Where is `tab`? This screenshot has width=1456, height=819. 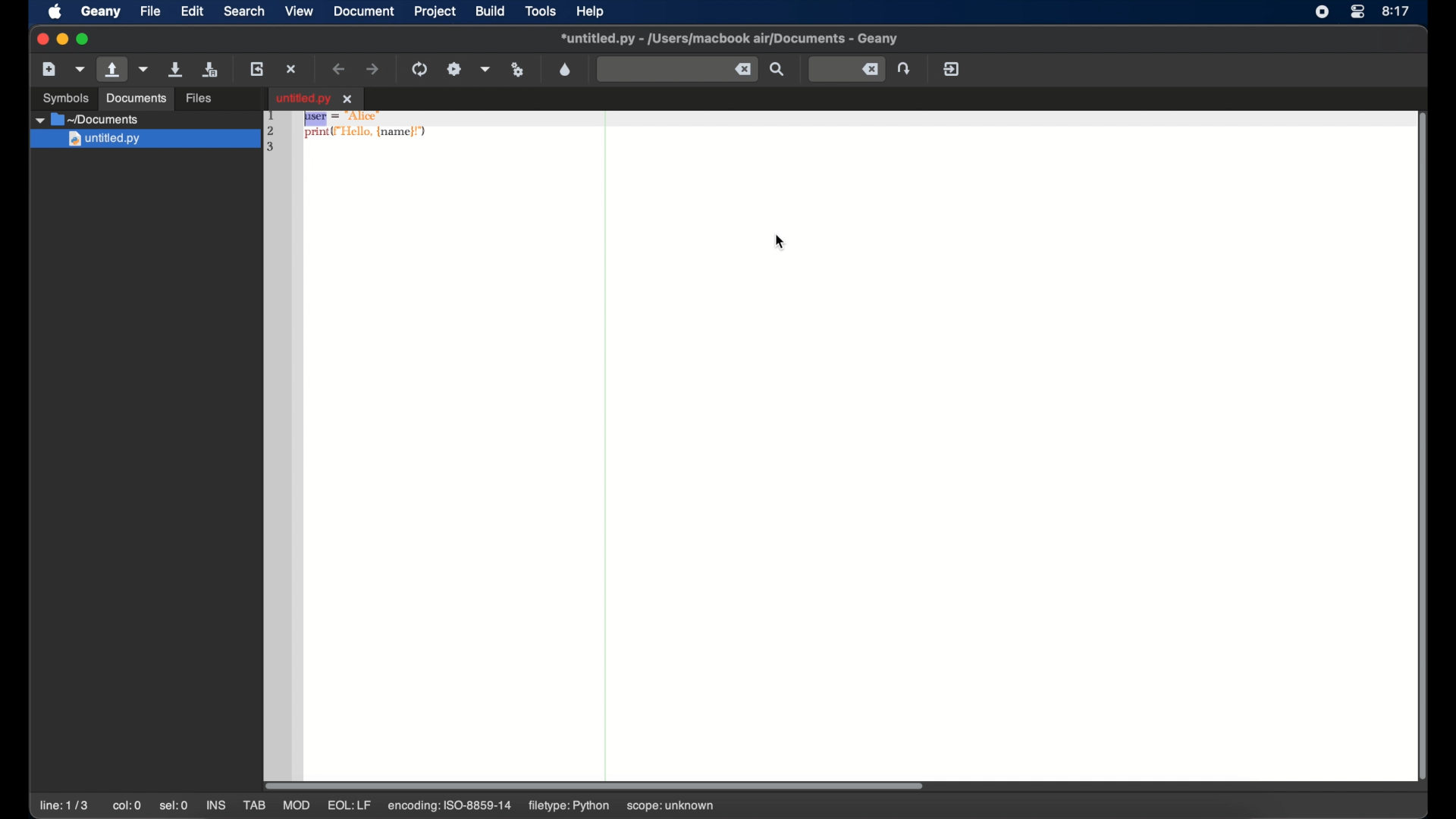
tab is located at coordinates (253, 805).